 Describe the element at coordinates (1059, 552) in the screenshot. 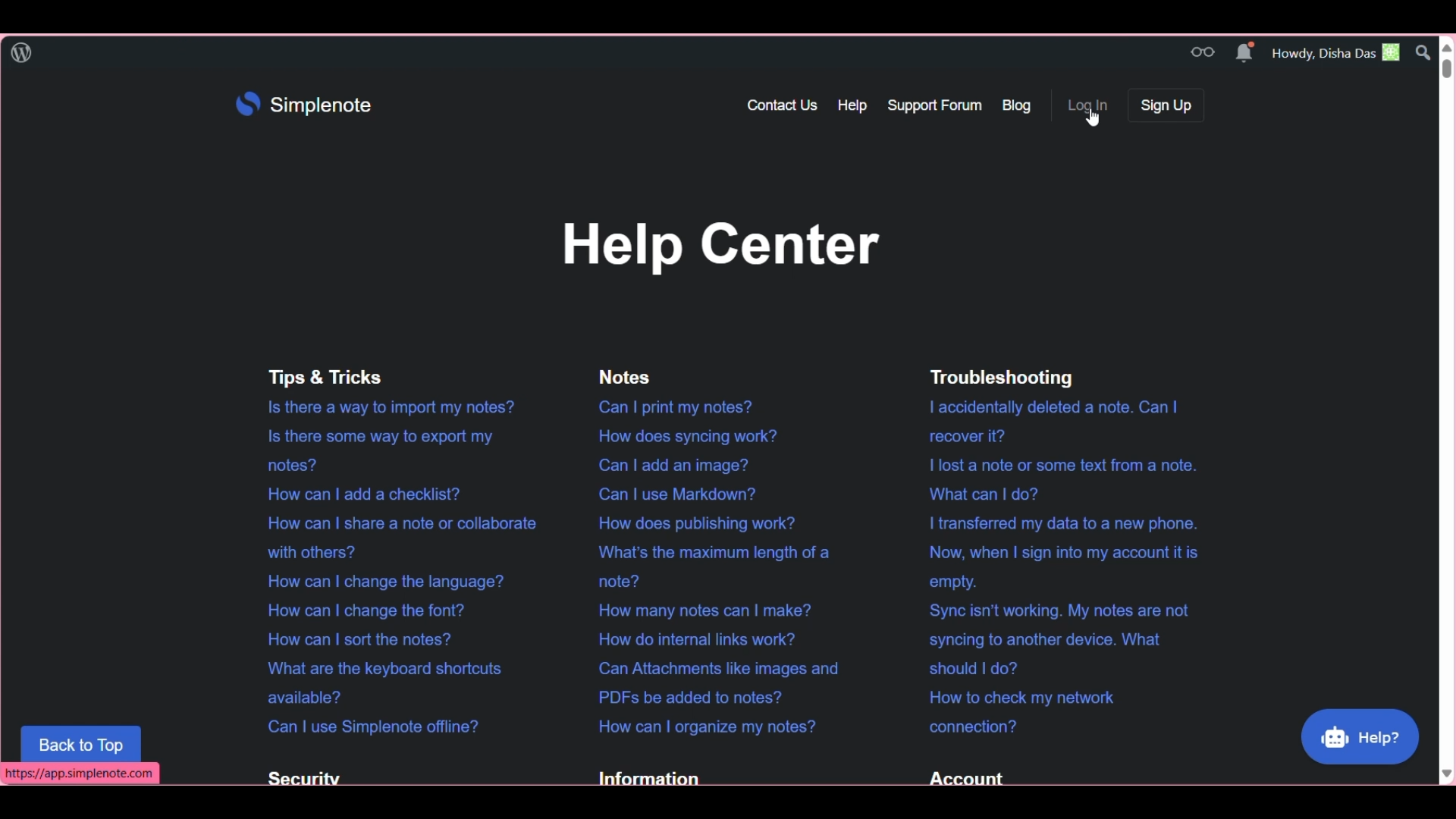

I see `| transferred my data to a new phone. Now, when | sign into my account it is empty.` at that location.